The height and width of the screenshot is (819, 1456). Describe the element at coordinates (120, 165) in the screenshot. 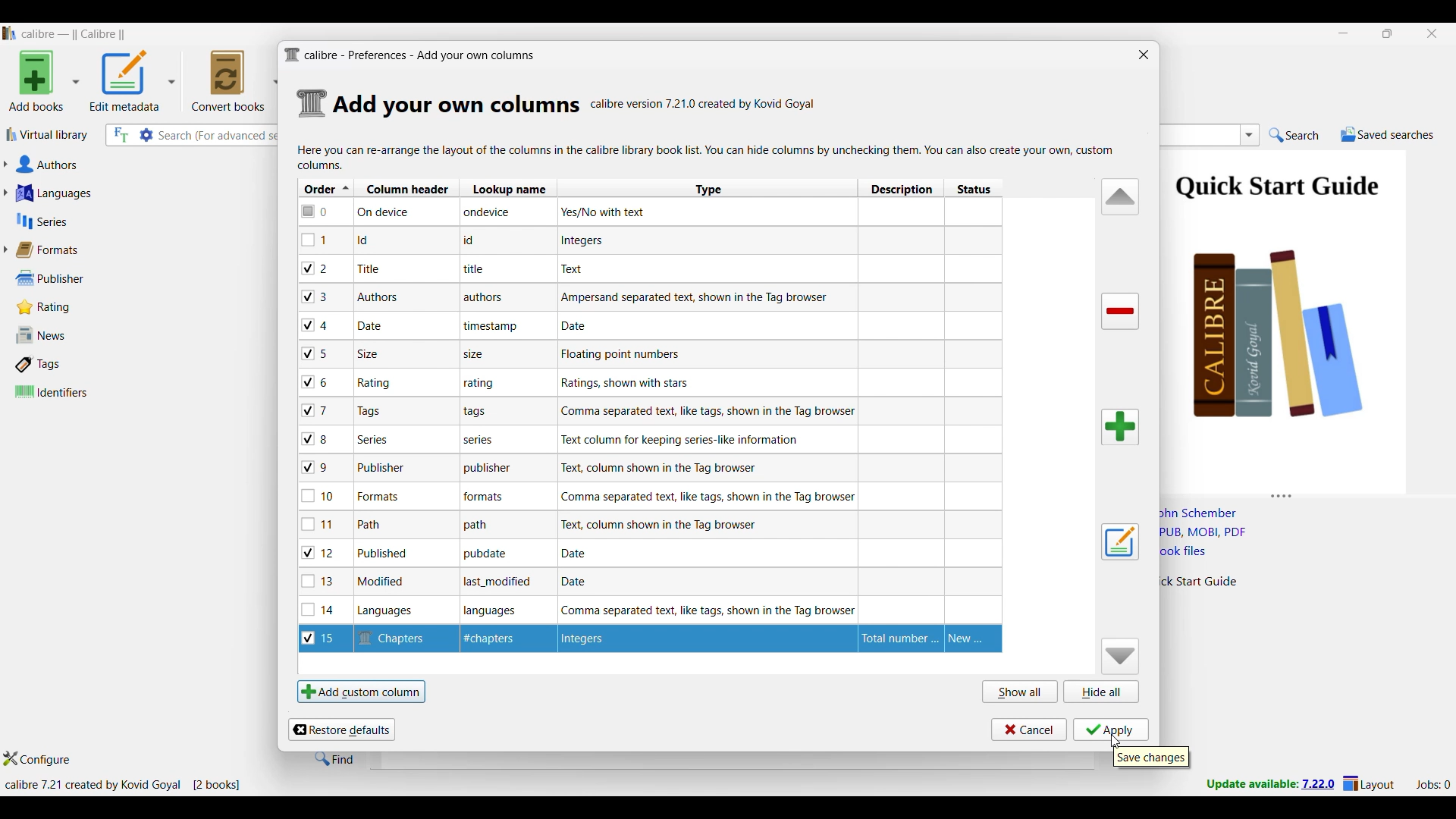

I see `Authors` at that location.